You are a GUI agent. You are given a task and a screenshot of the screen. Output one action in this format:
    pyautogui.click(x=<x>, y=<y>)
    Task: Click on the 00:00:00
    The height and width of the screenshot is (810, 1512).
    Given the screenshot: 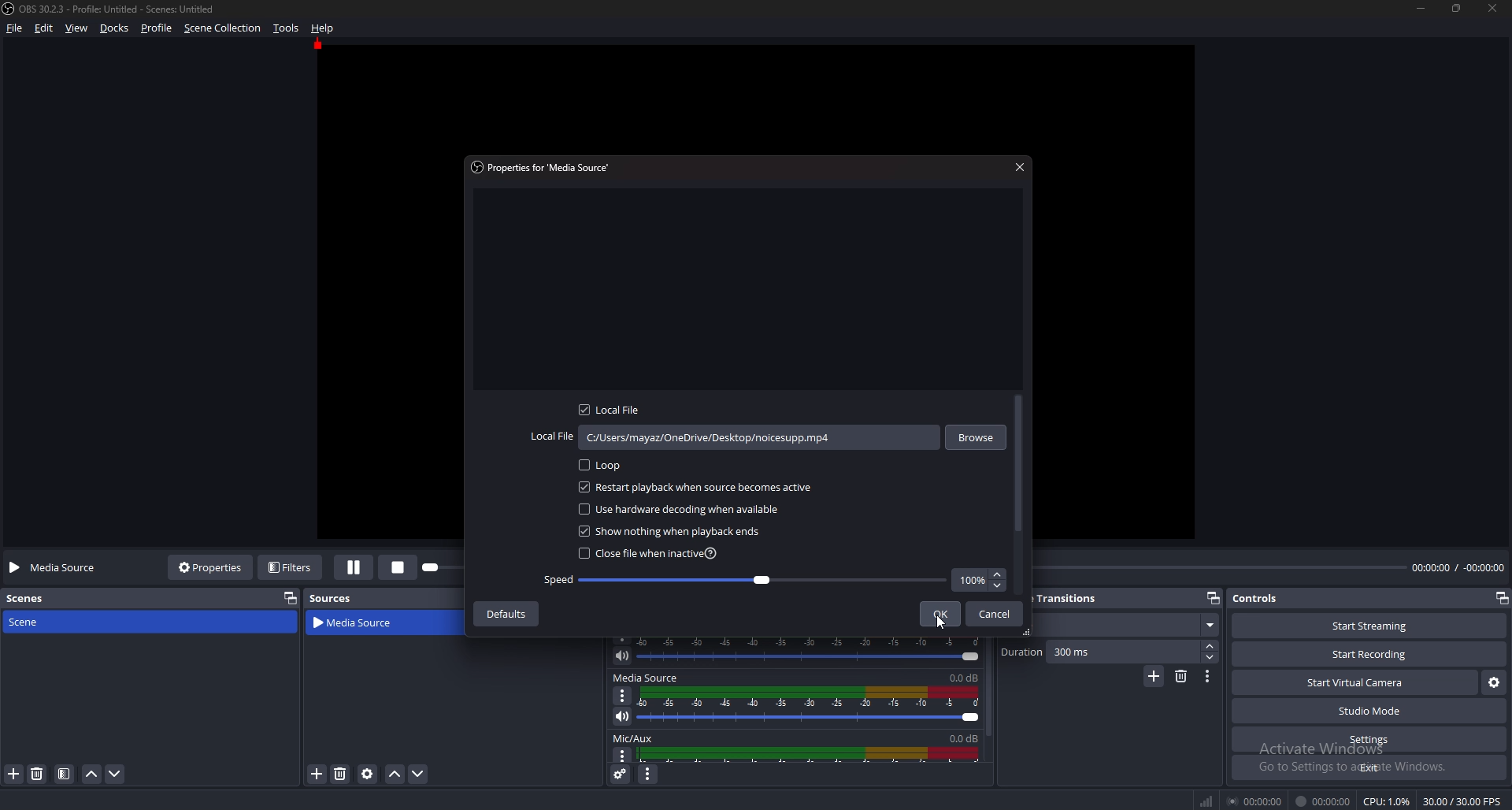 What is the action you would take?
    pyautogui.click(x=1323, y=801)
    